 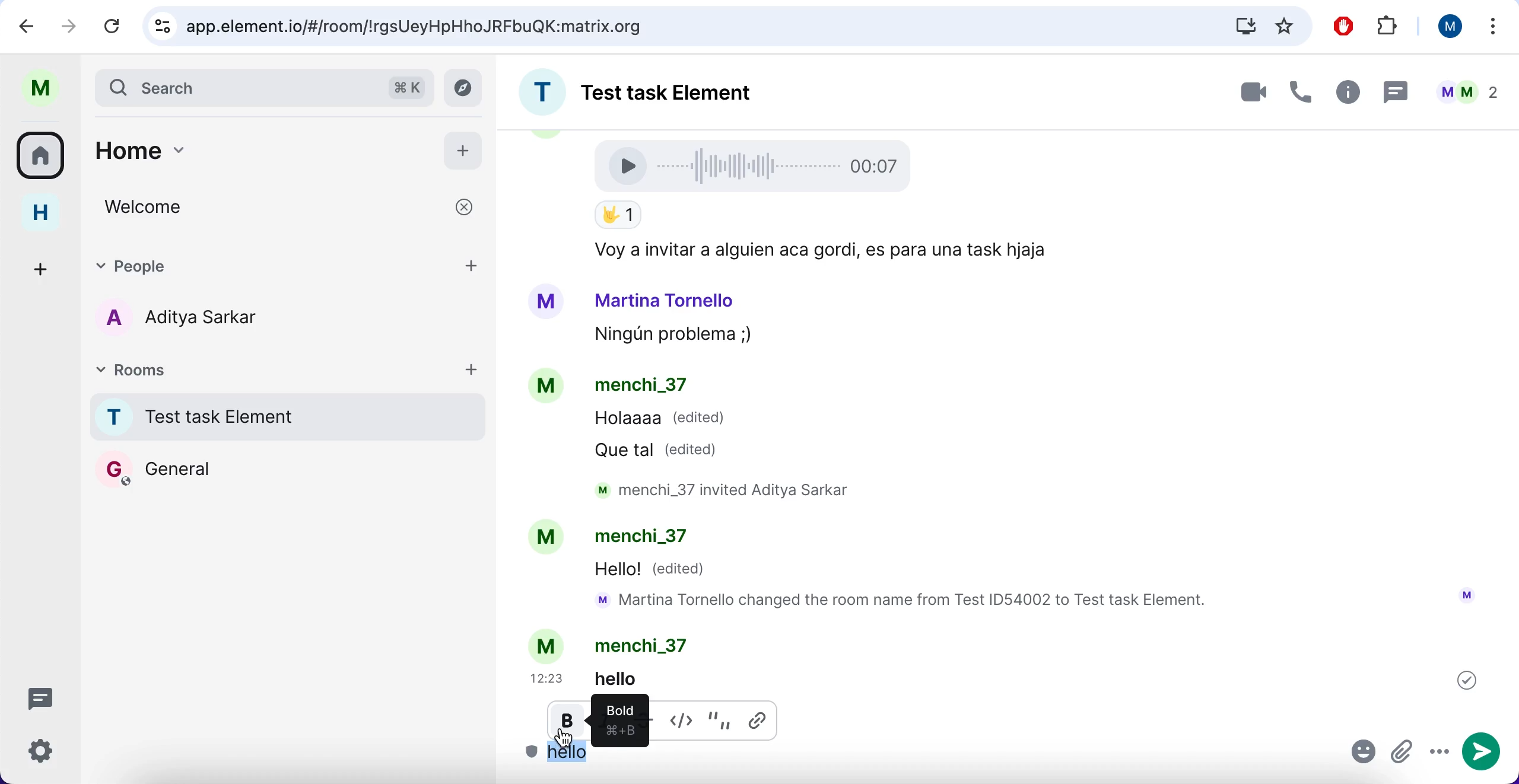 I want to click on more options, so click(x=1494, y=29).